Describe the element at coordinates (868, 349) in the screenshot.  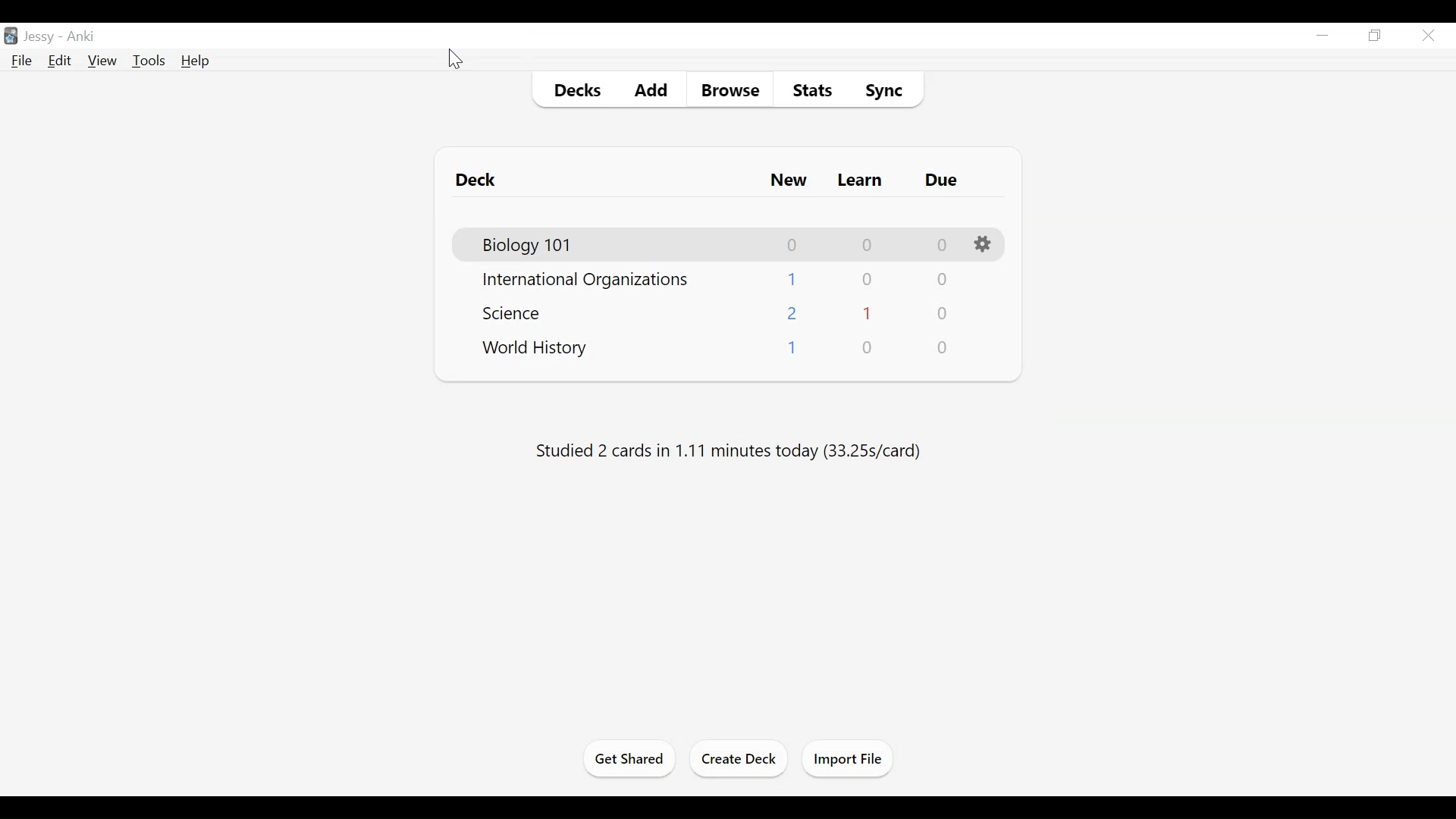
I see `Learn Cards Count` at that location.